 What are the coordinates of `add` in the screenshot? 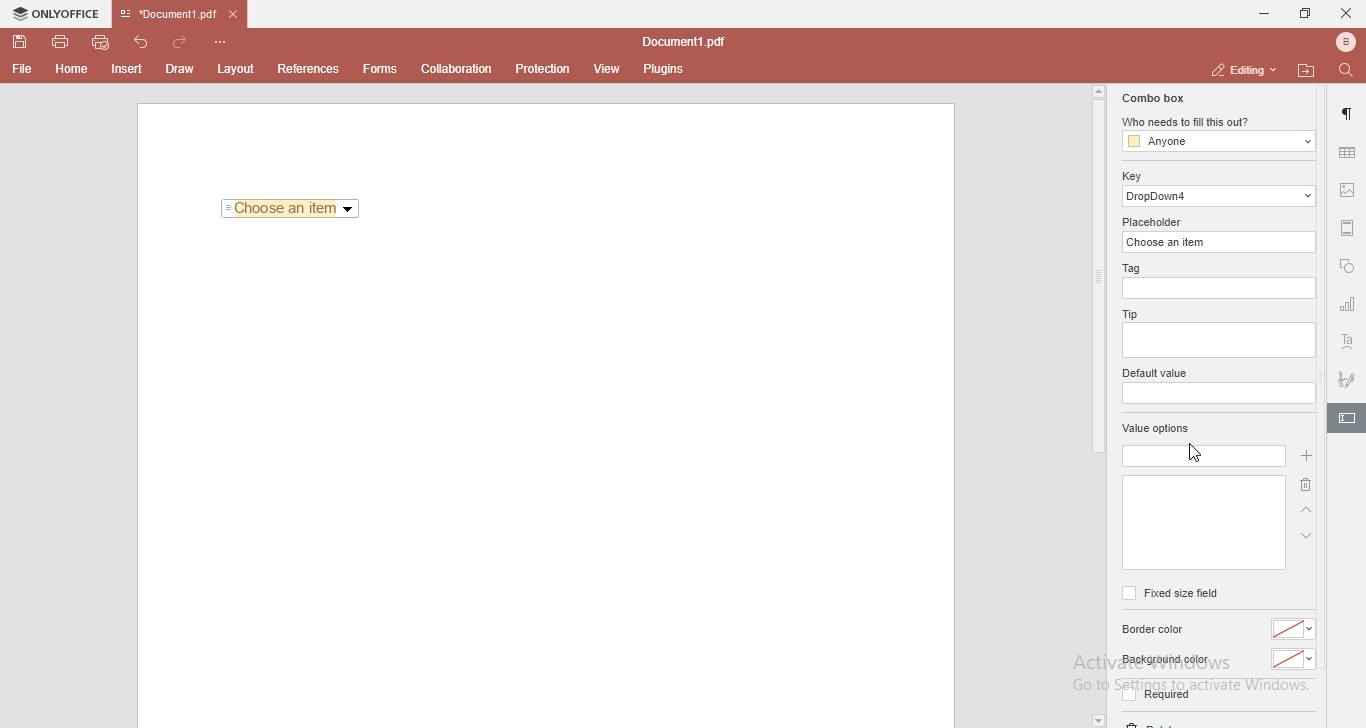 It's located at (1306, 456).